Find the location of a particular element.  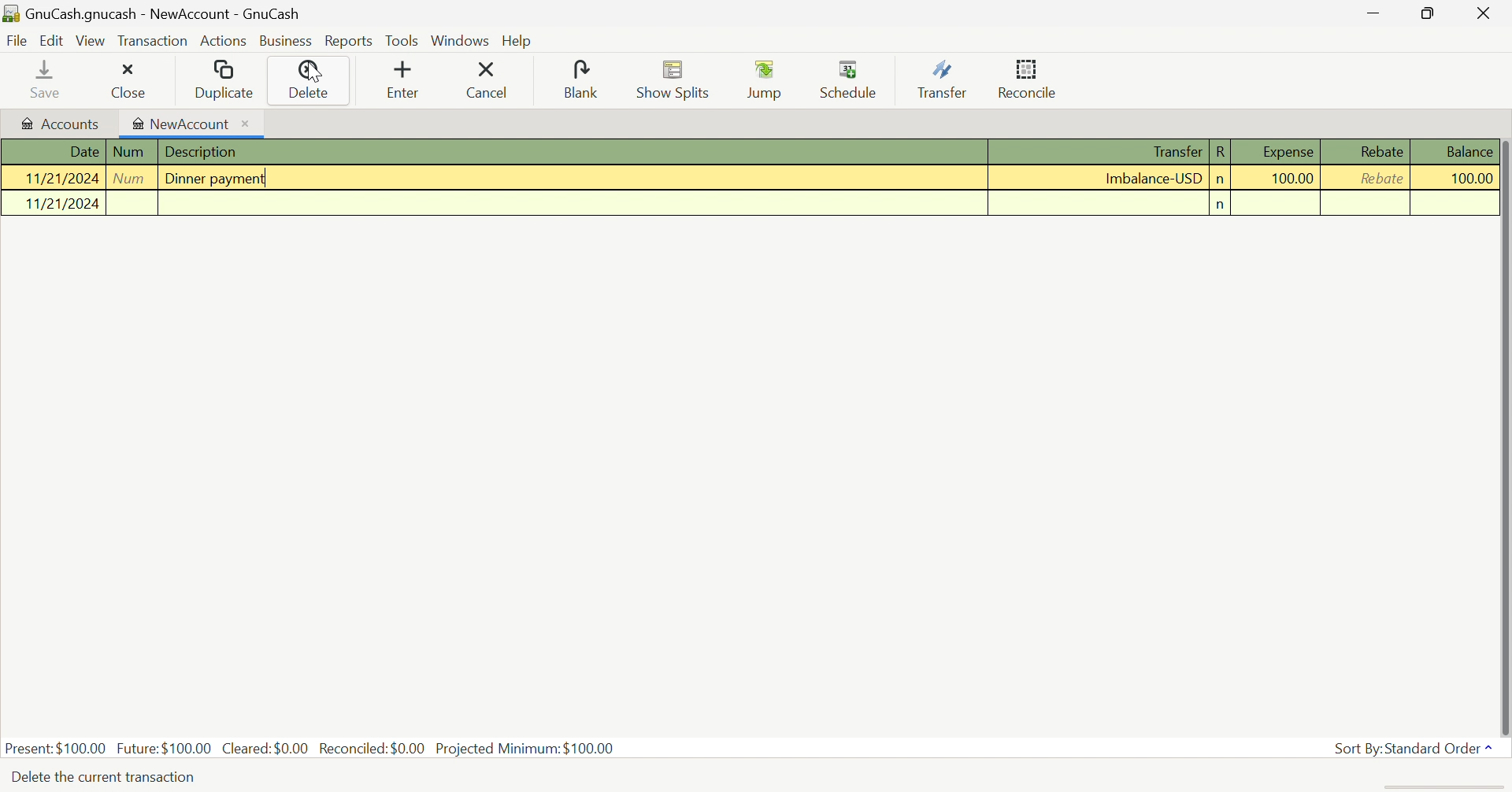

close is located at coordinates (130, 81).